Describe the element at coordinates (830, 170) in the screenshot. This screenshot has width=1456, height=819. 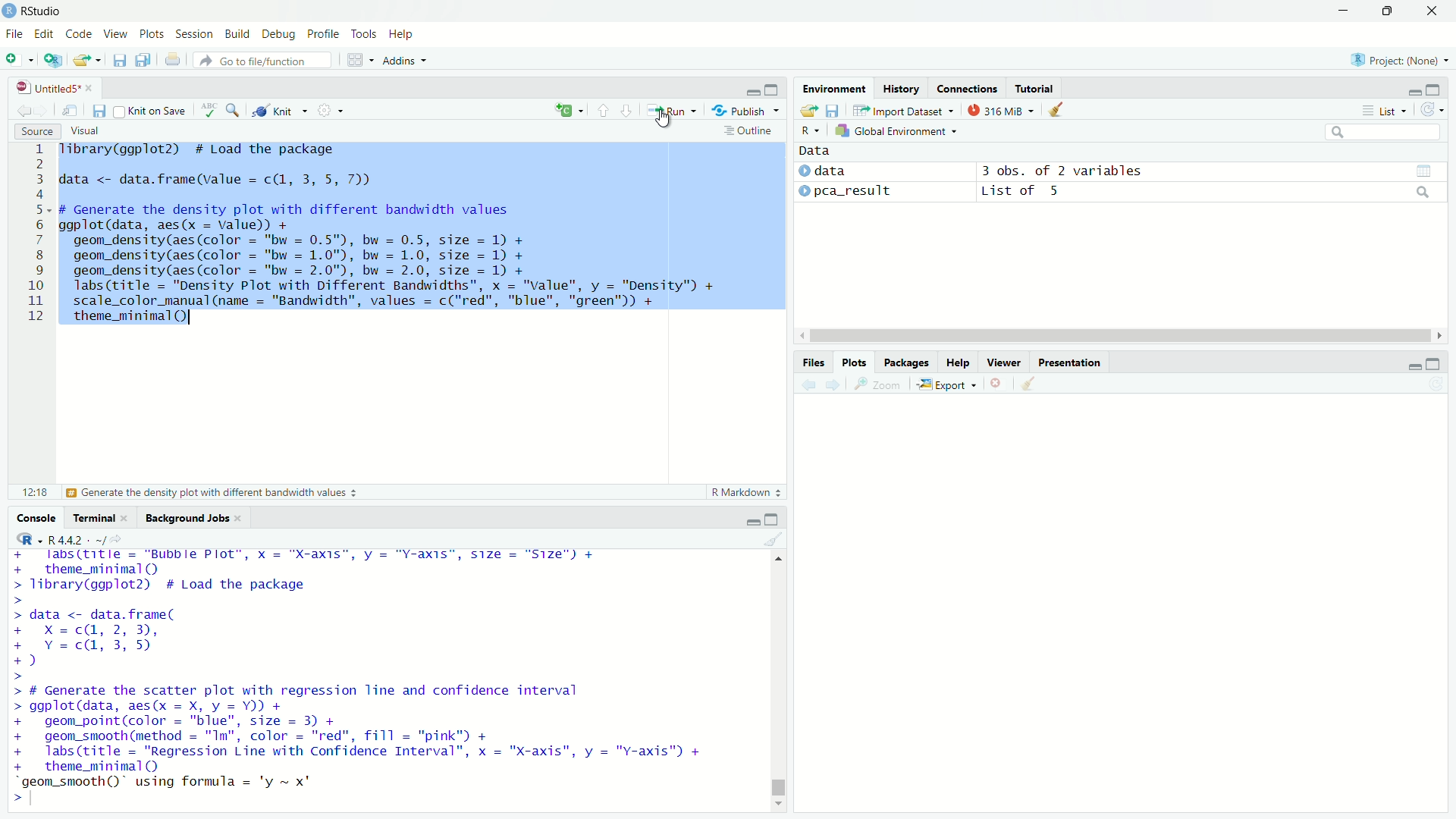
I see `data` at that location.